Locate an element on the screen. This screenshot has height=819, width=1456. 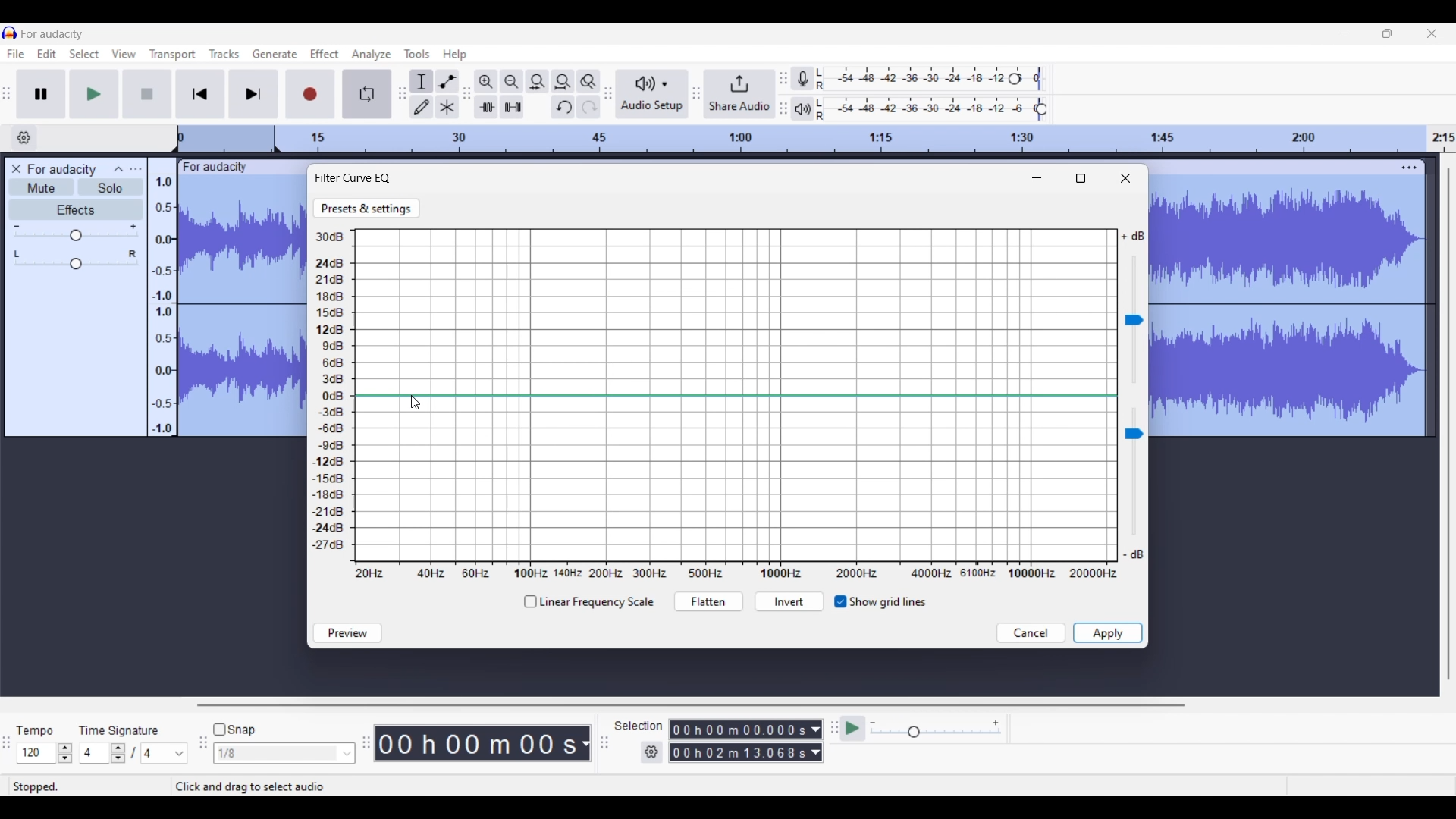
Indicates max. volume is located at coordinates (1132, 237).